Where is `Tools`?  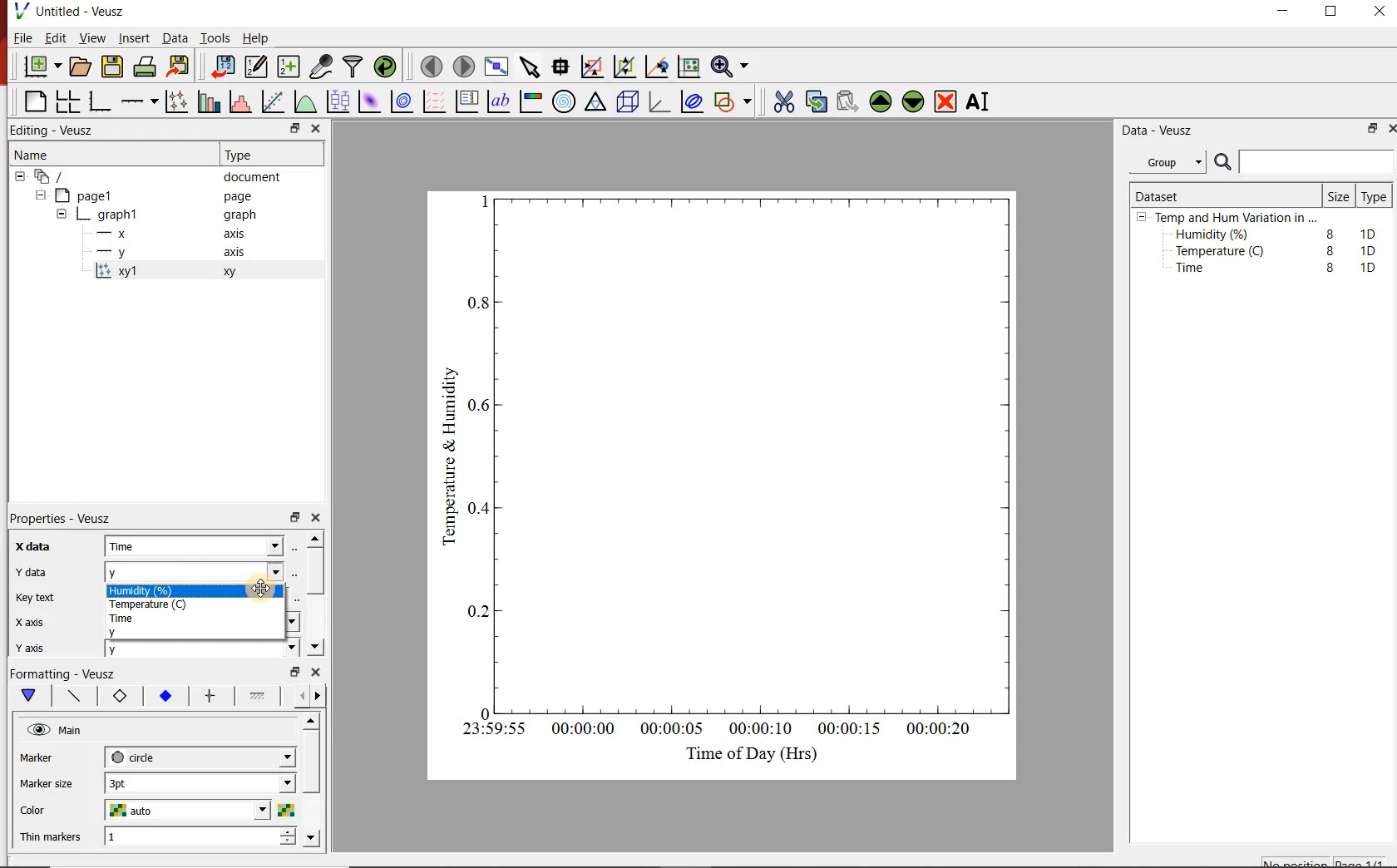 Tools is located at coordinates (214, 38).